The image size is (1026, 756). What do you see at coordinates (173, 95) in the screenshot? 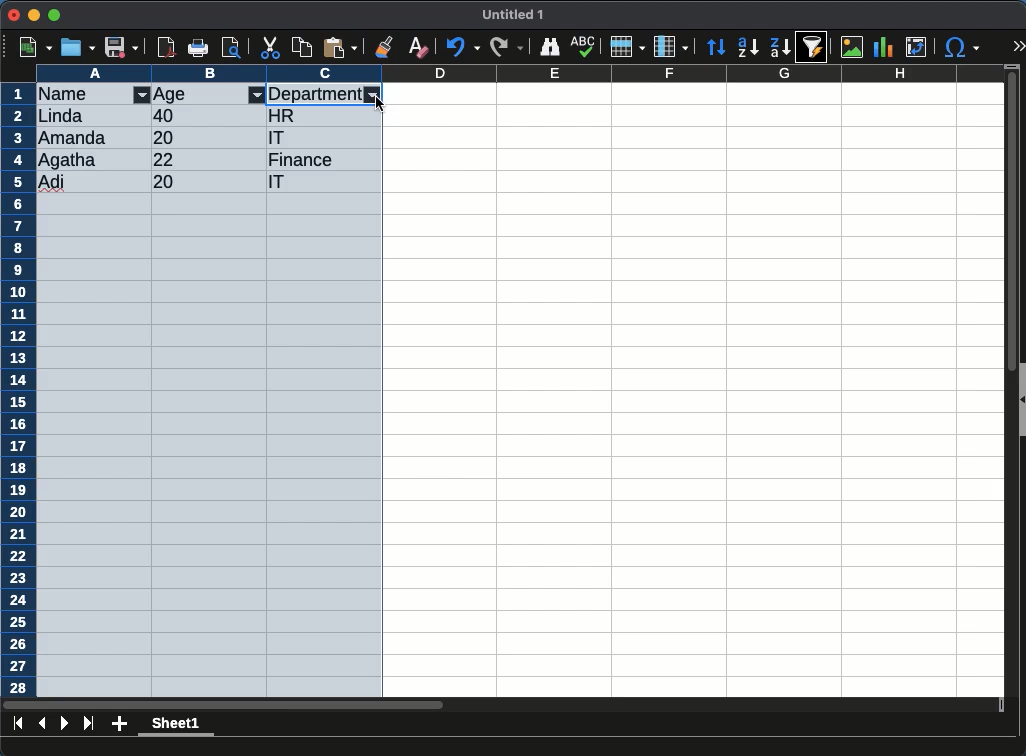
I see `age` at bounding box center [173, 95].